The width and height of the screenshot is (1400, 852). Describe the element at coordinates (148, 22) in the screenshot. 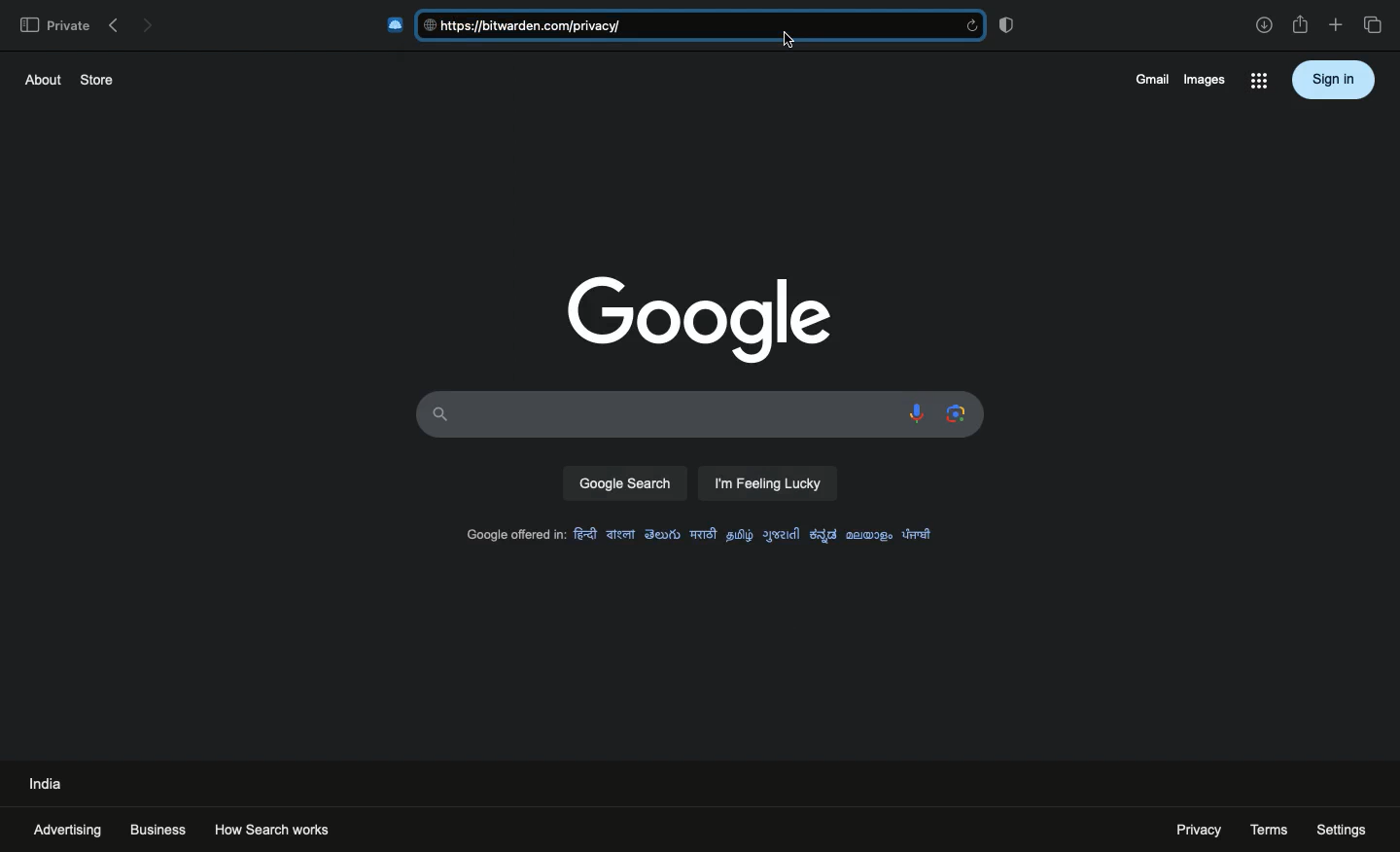

I see `next` at that location.